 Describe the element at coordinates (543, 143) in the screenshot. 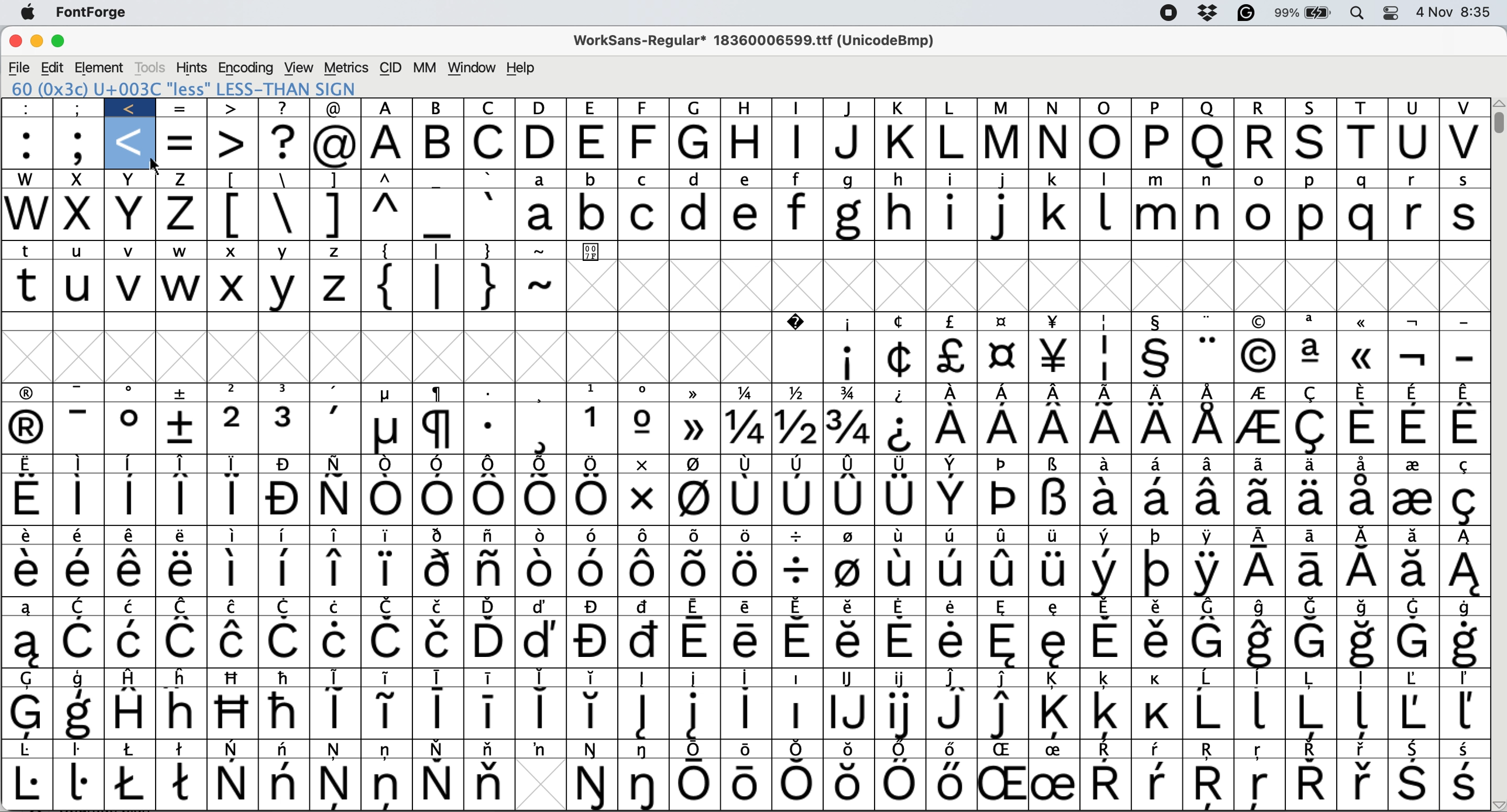

I see `d` at that location.